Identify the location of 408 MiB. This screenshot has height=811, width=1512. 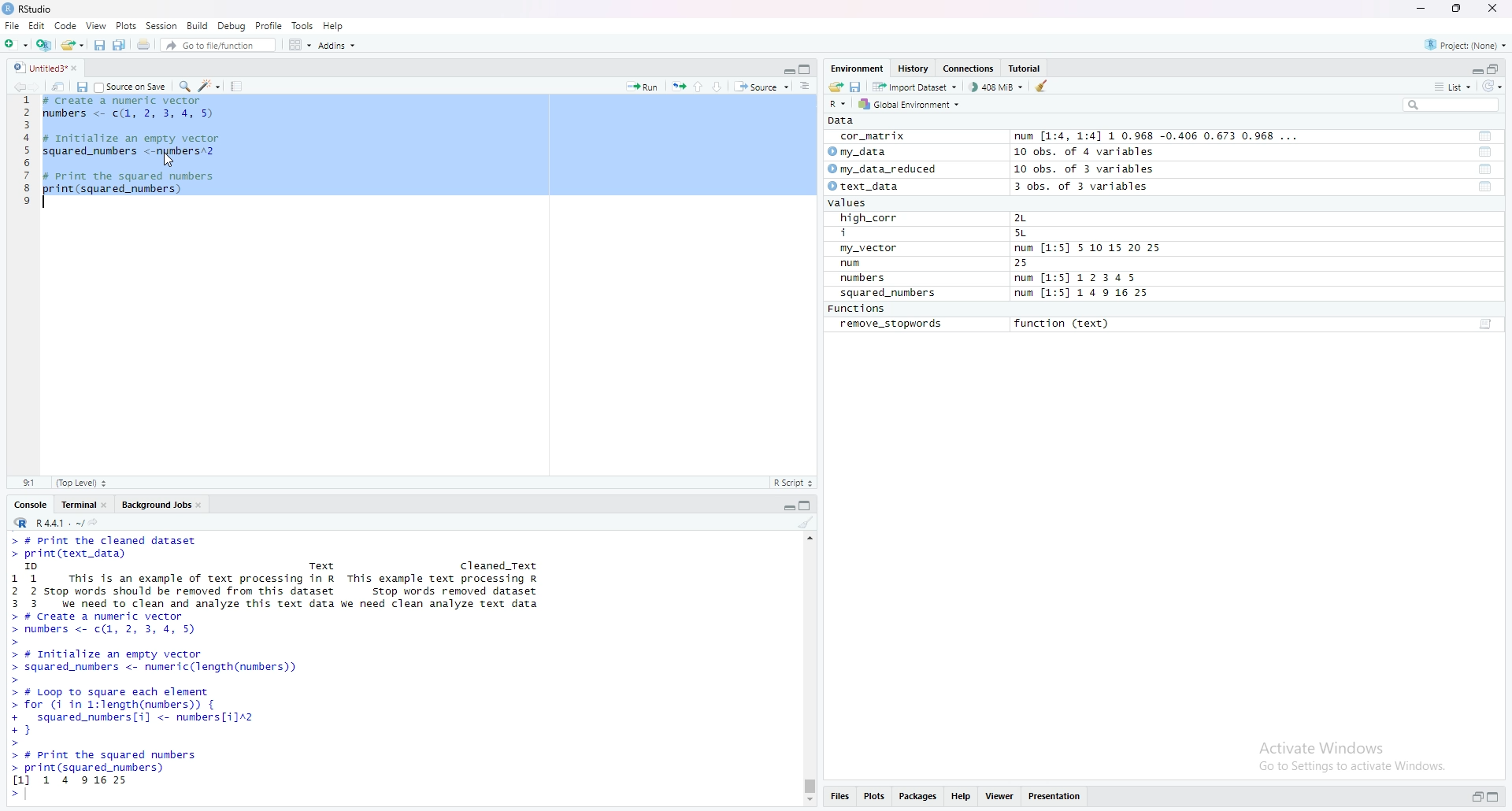
(995, 87).